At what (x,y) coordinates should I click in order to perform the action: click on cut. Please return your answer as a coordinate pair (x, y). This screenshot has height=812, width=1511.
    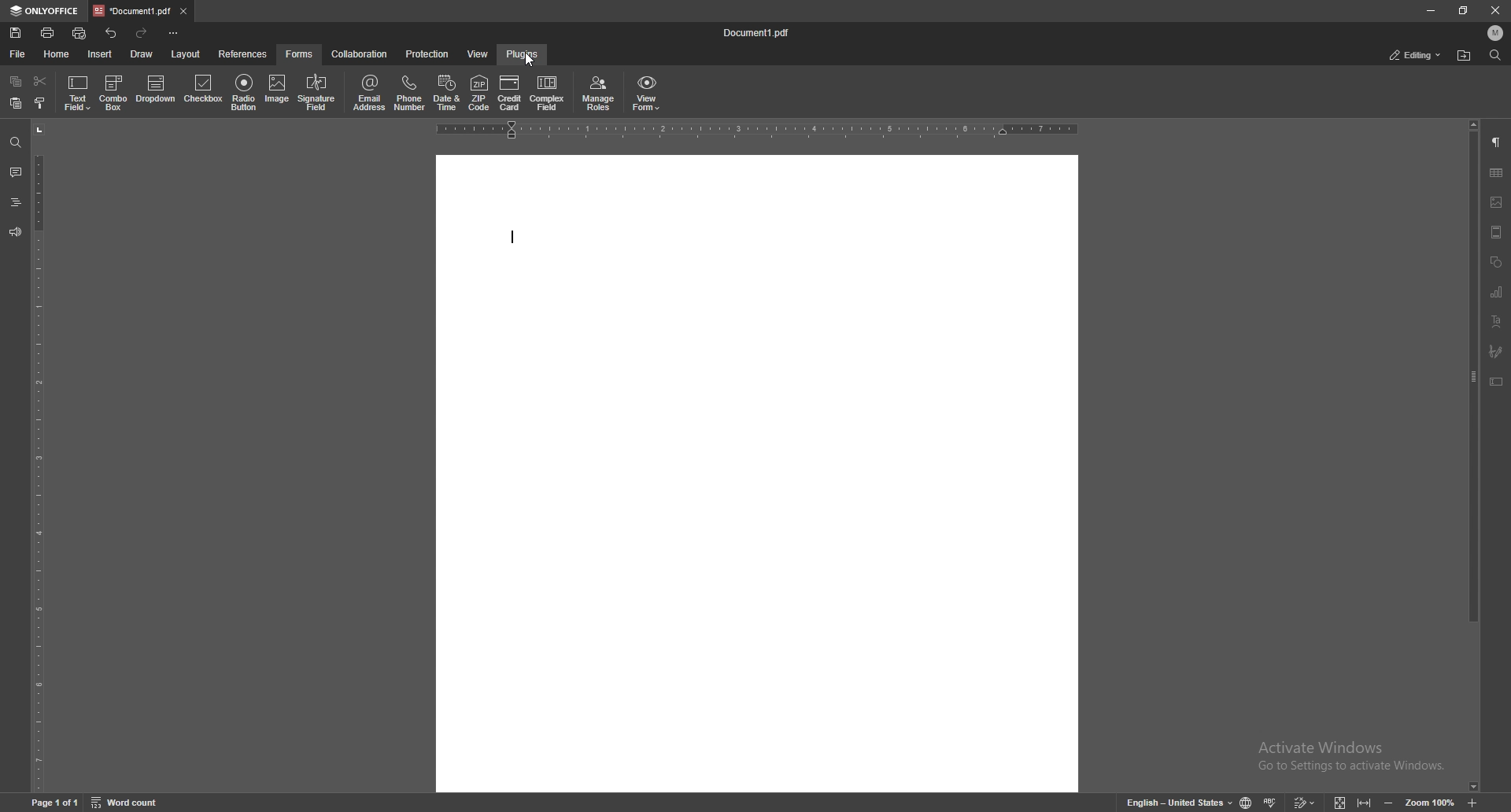
    Looking at the image, I should click on (40, 82).